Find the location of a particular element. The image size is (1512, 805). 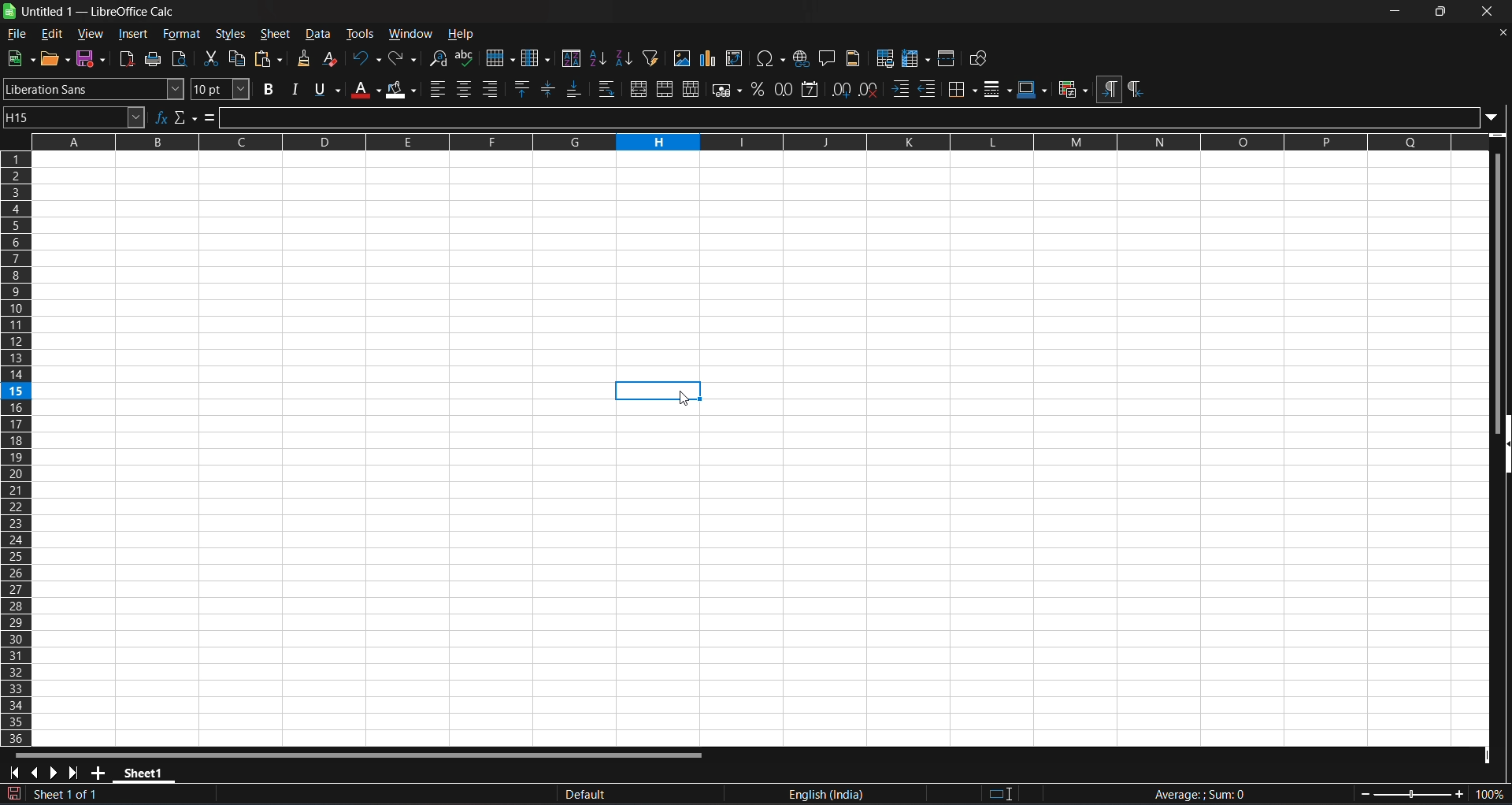

 cell is located at coordinates (657, 391).